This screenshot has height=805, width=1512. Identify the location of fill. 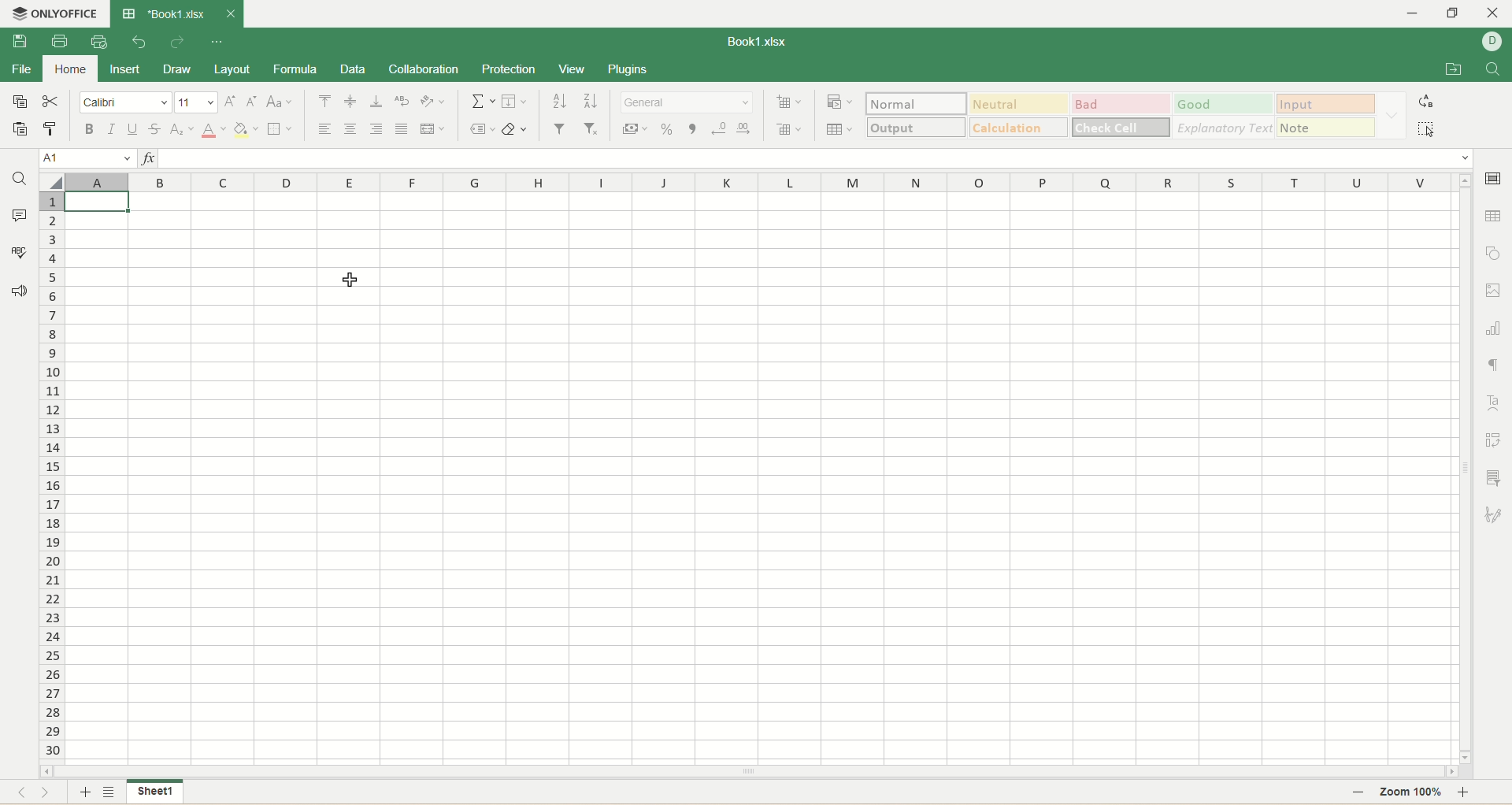
(514, 100).